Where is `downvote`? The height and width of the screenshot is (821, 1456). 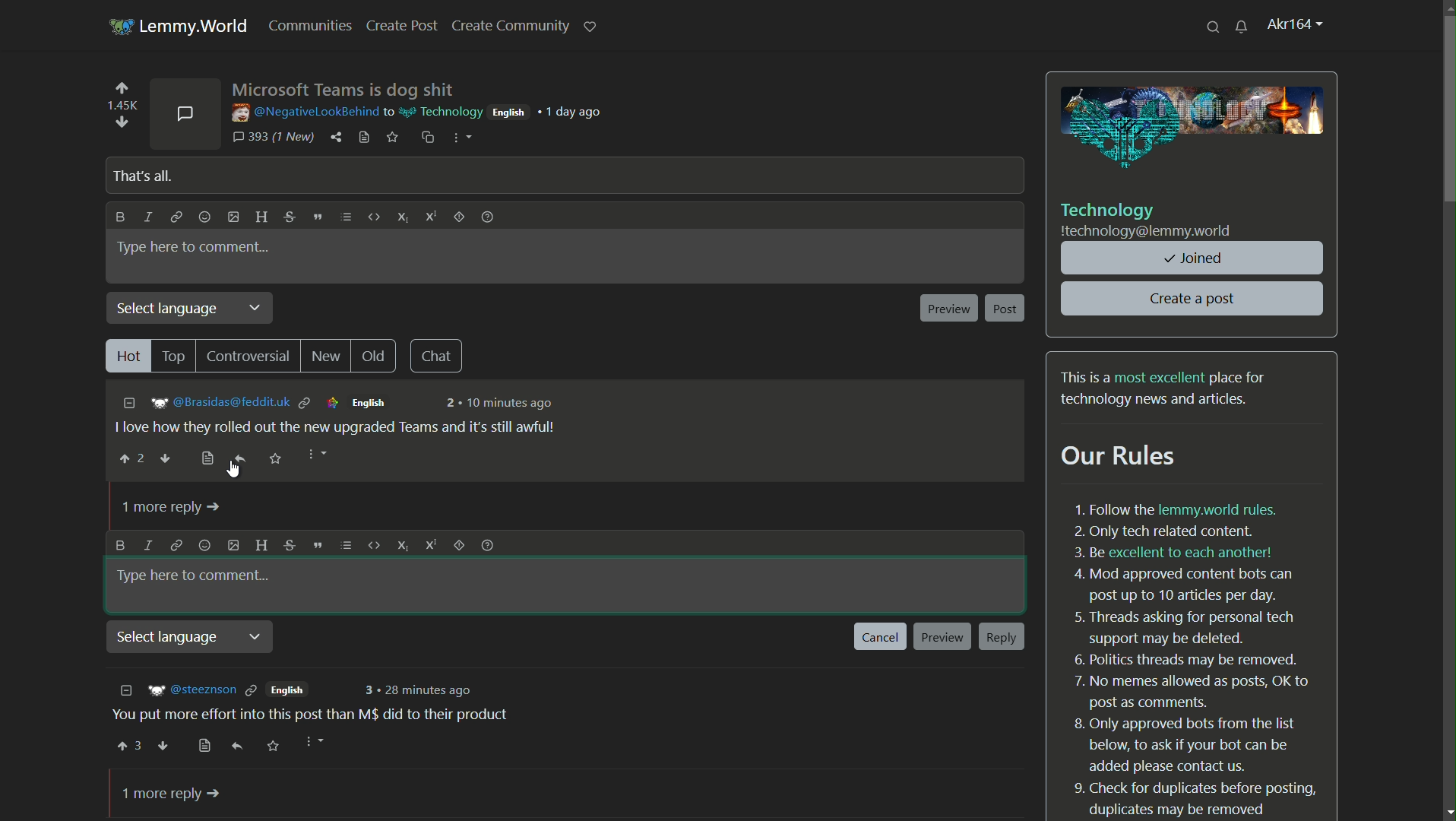
downvote is located at coordinates (120, 122).